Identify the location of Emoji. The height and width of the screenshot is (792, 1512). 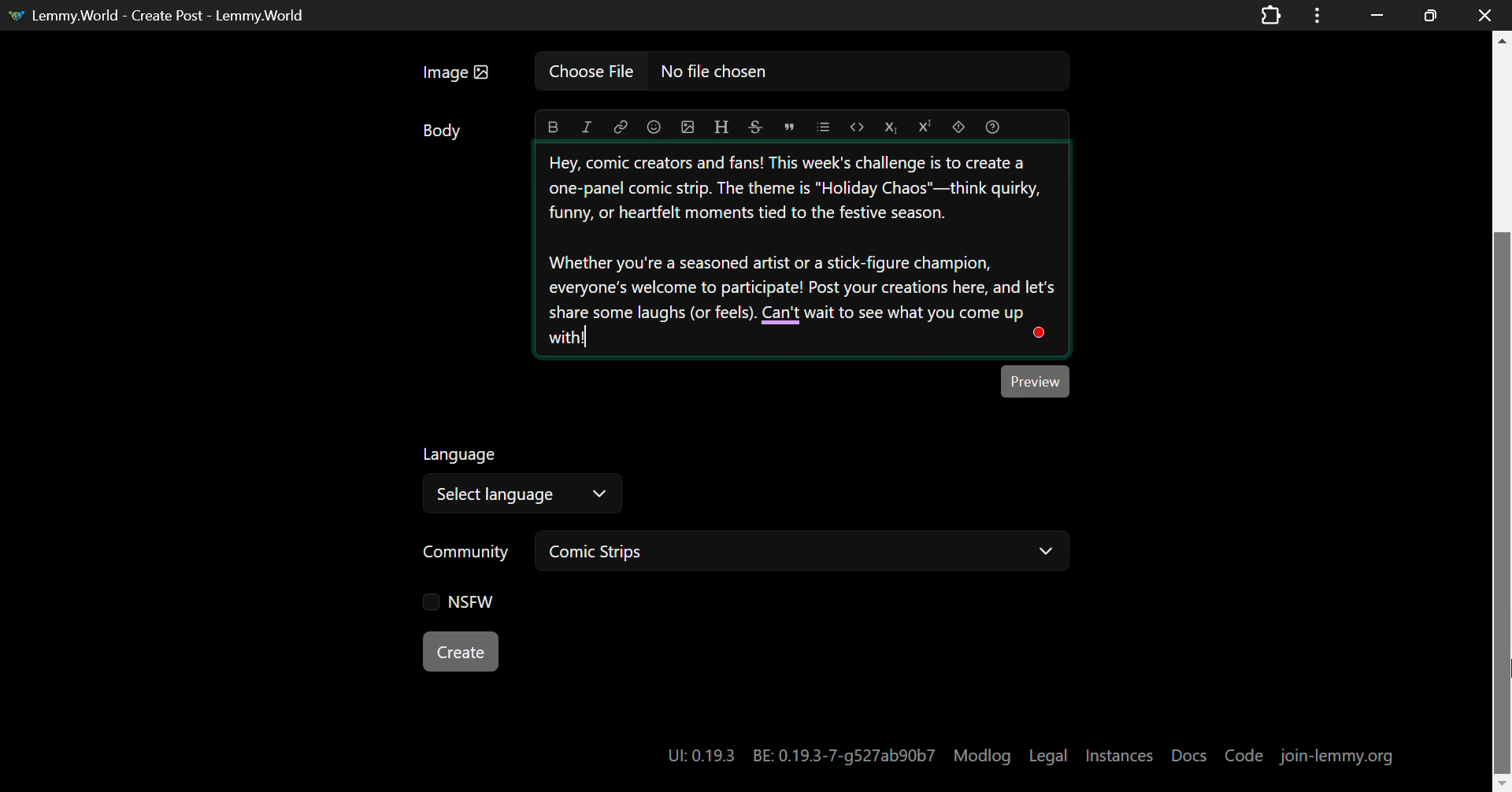
(654, 128).